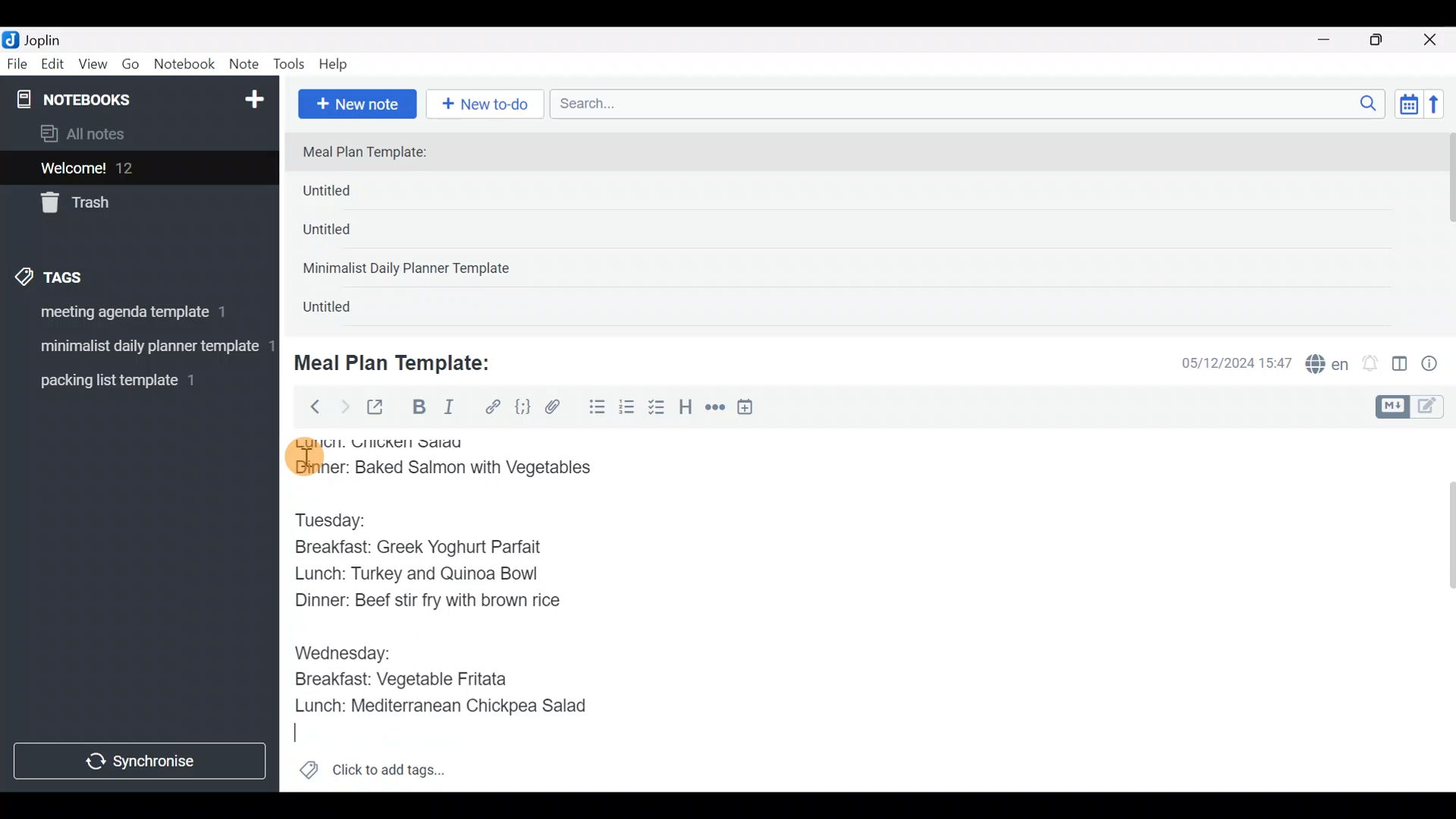 The width and height of the screenshot is (1456, 819). What do you see at coordinates (342, 651) in the screenshot?
I see `Wednesday:` at bounding box center [342, 651].